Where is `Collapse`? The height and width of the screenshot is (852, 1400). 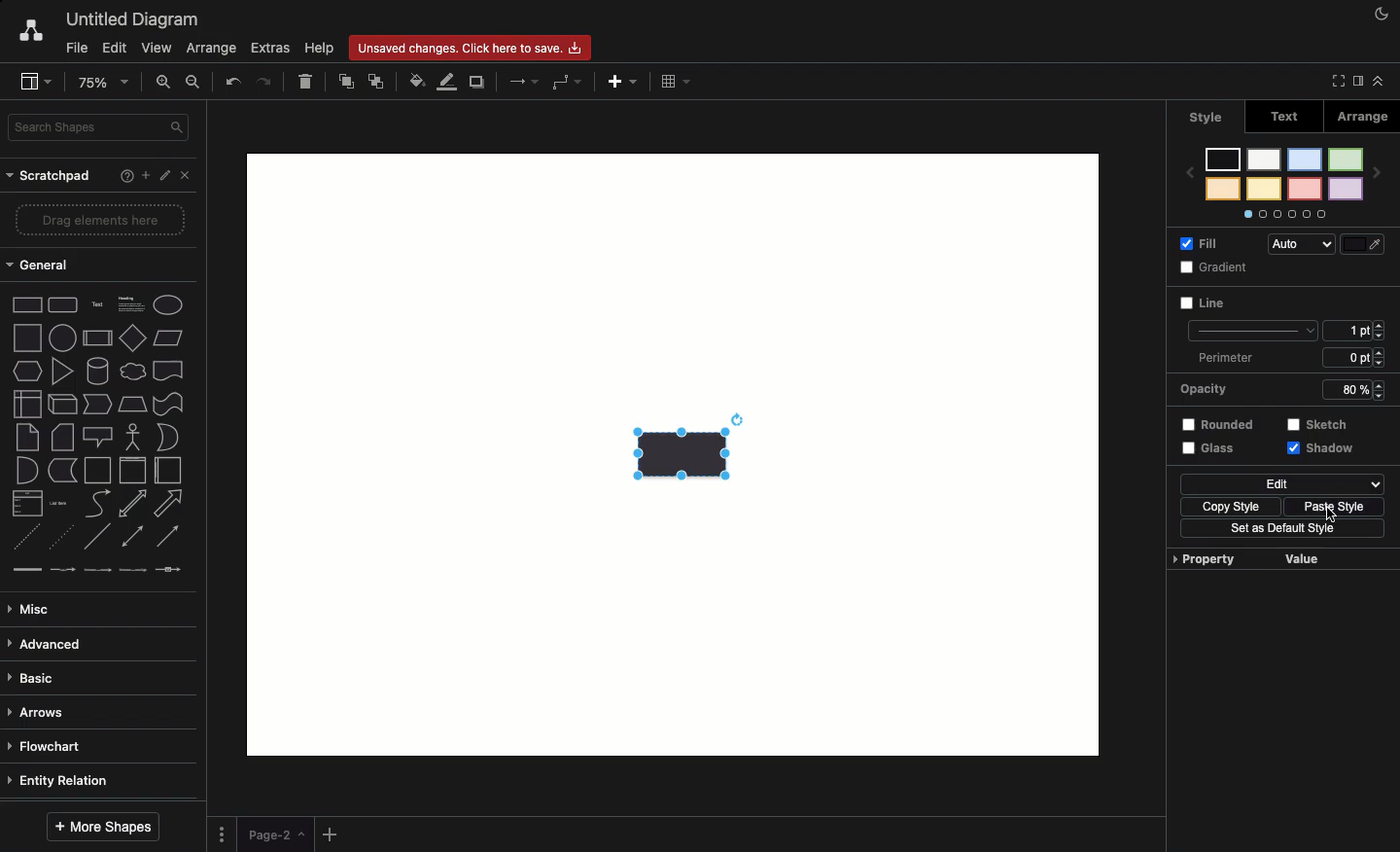 Collapse is located at coordinates (1378, 82).